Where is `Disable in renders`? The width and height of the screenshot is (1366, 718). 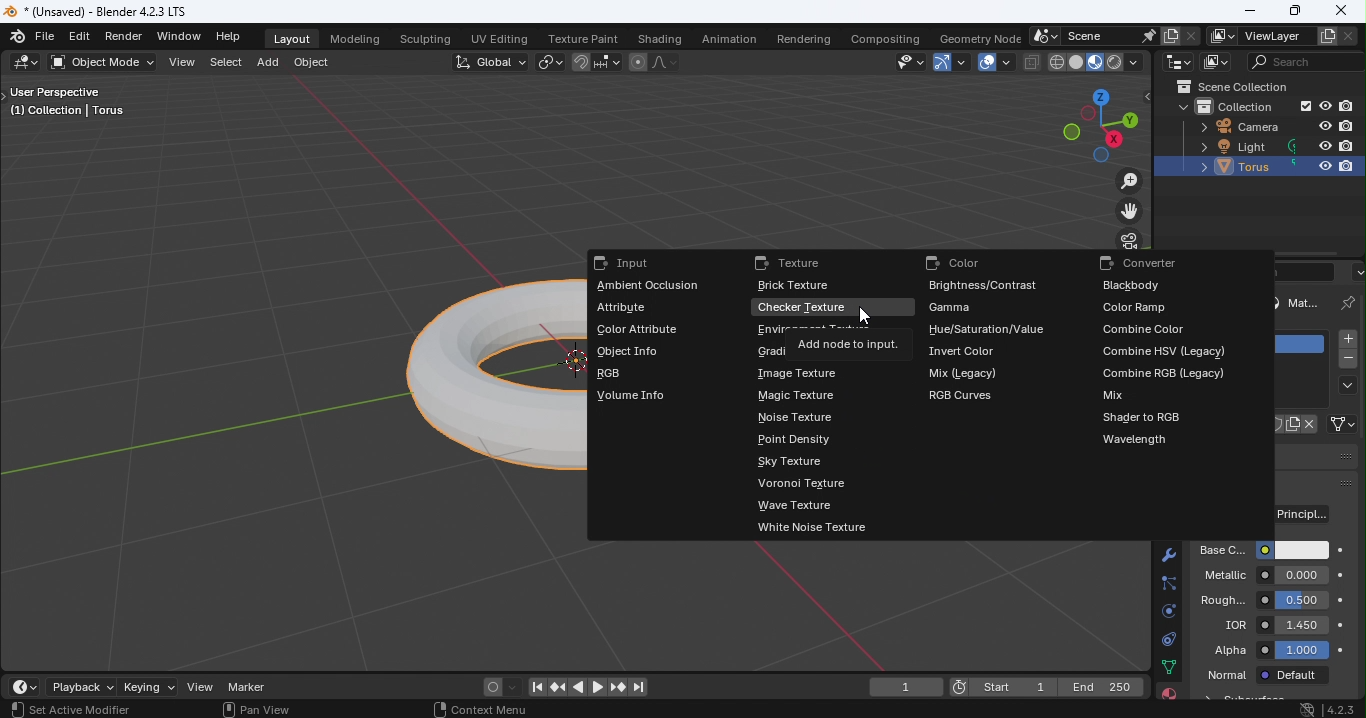 Disable in renders is located at coordinates (1348, 146).